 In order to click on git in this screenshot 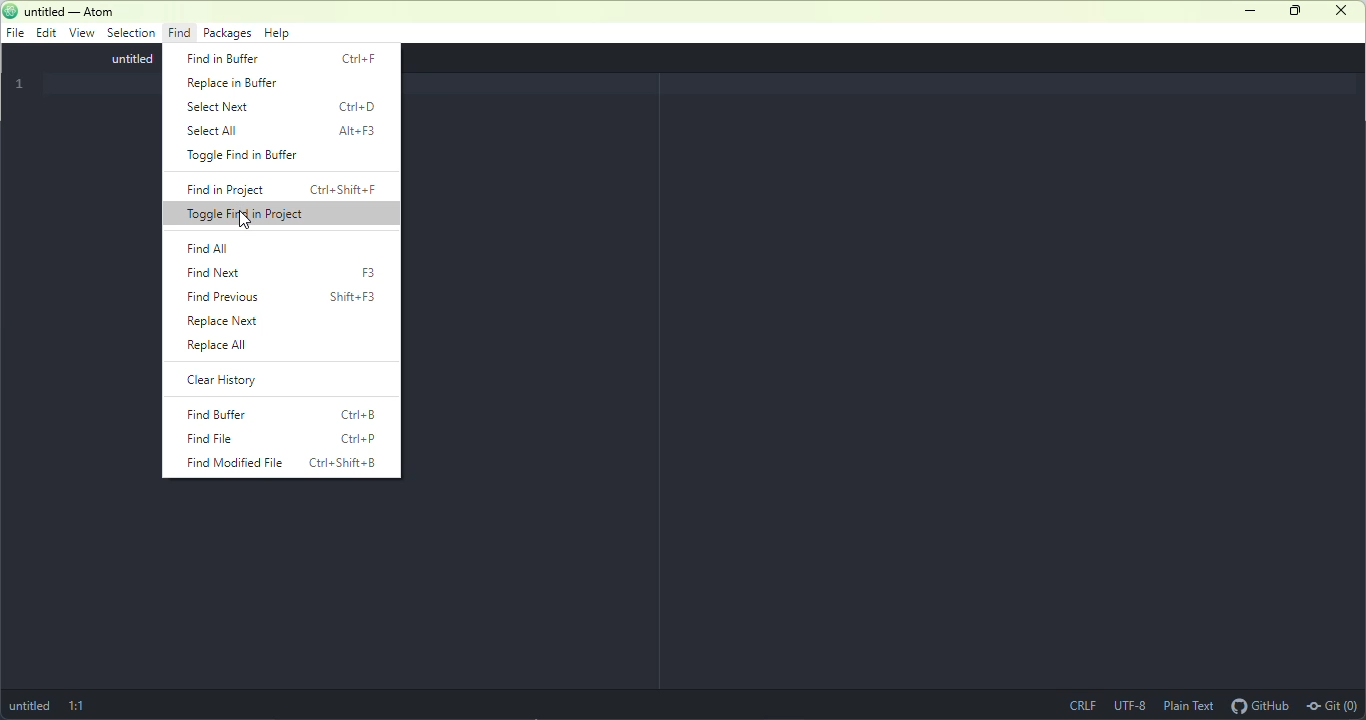, I will do `click(1334, 705)`.